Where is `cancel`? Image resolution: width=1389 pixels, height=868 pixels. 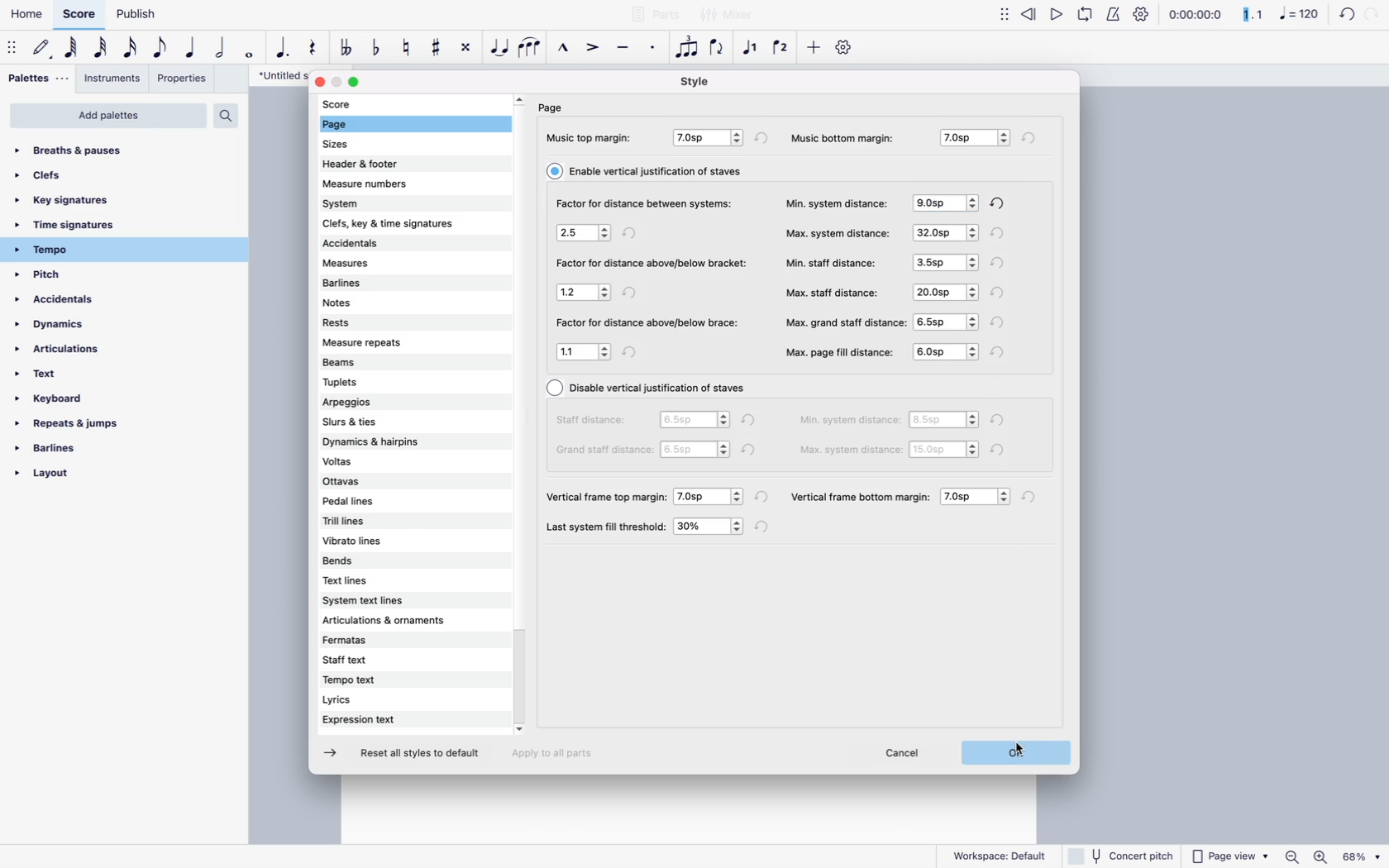 cancel is located at coordinates (906, 755).